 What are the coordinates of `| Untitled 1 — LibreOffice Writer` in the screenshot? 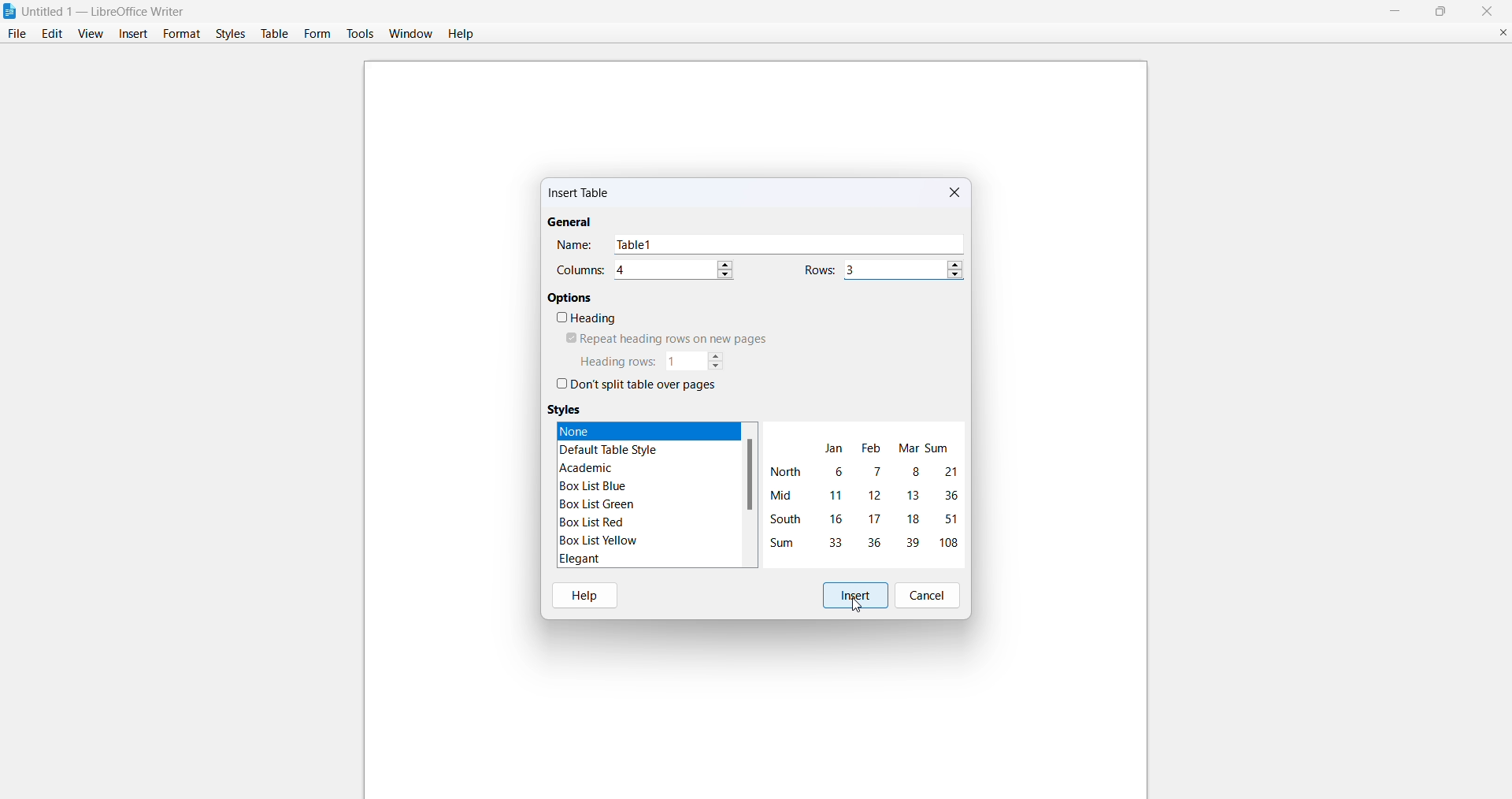 It's located at (106, 10).